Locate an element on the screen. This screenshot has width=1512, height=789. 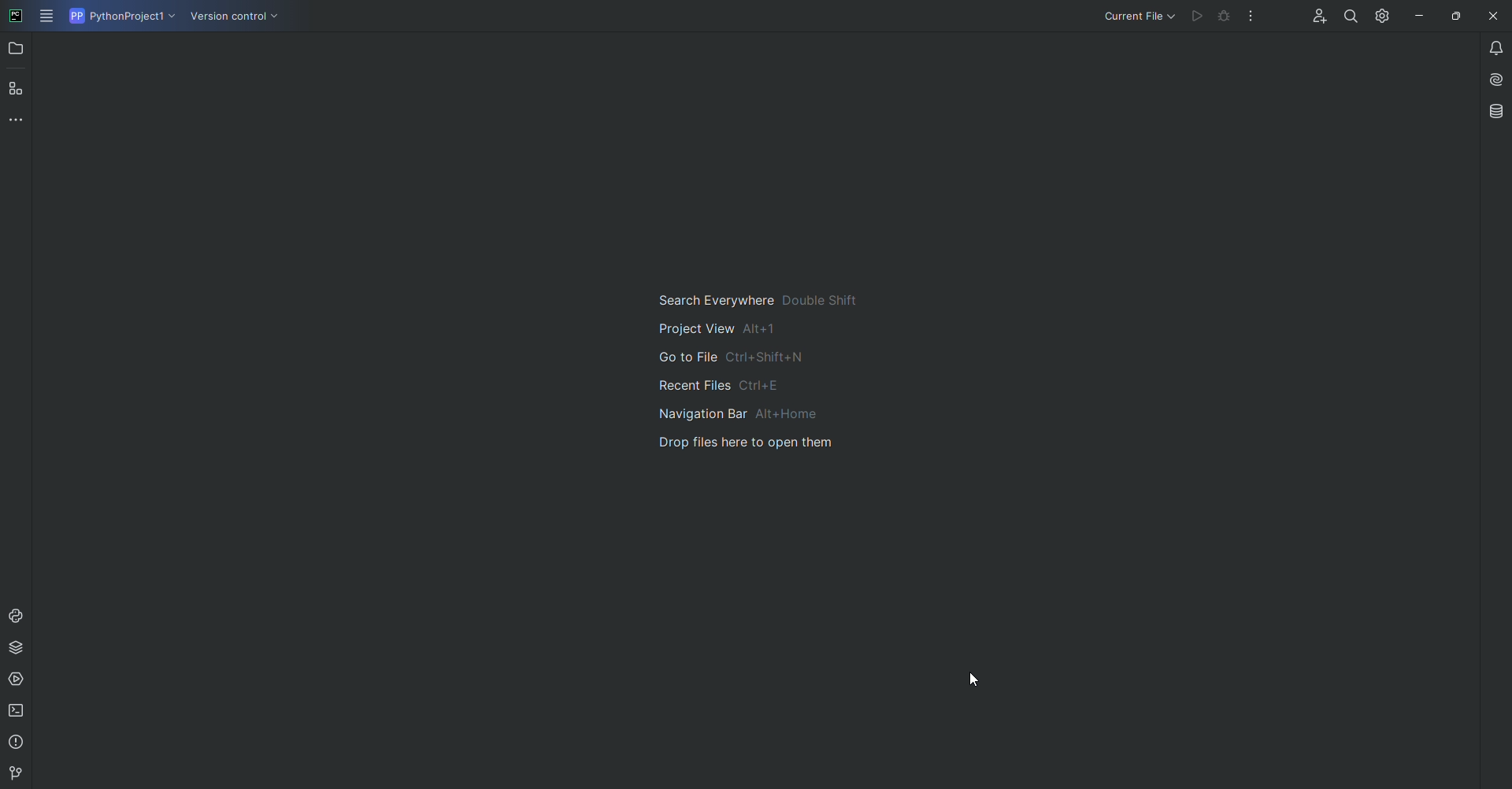
debug is located at coordinates (1225, 17).